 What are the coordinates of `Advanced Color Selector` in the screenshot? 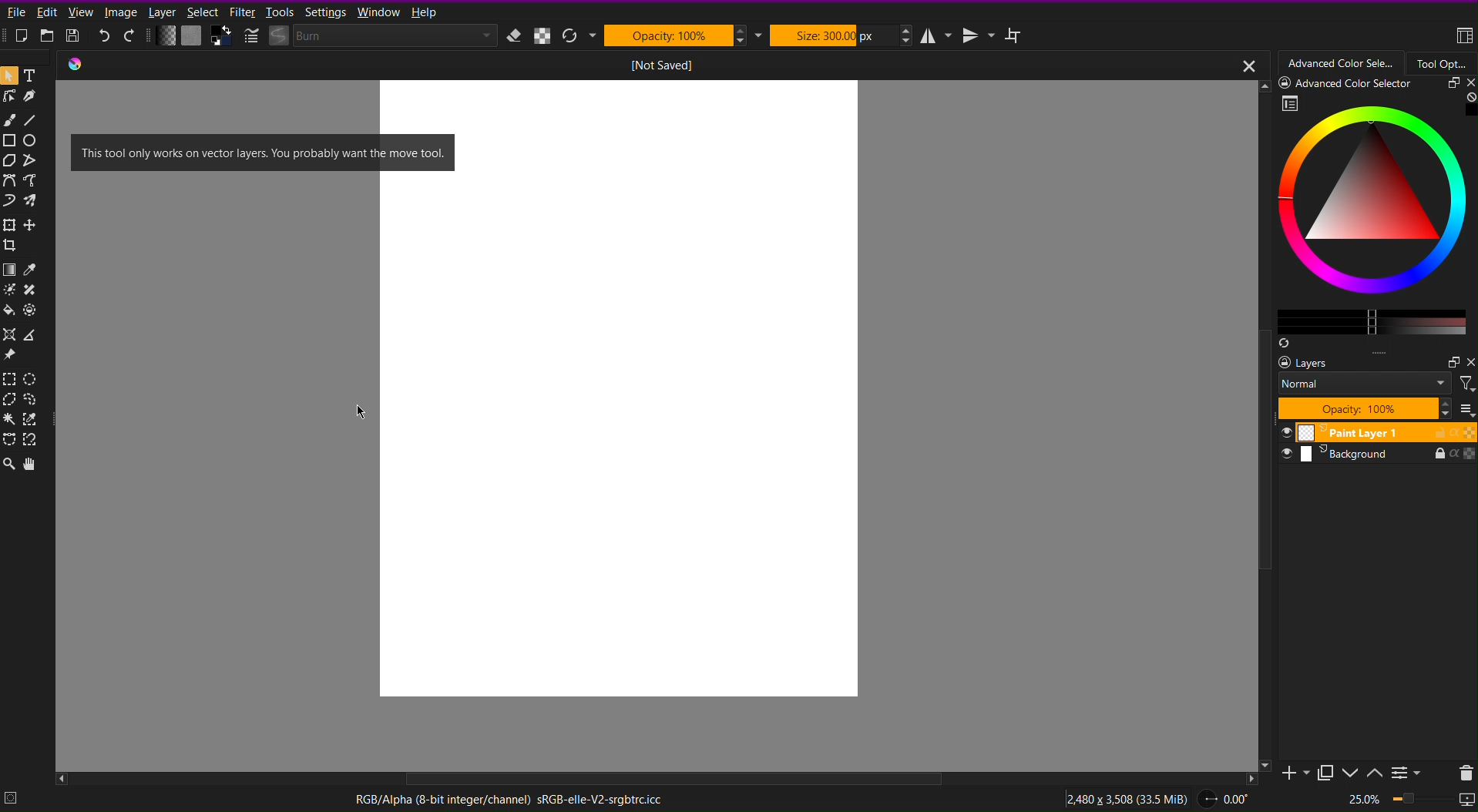 It's located at (1367, 214).